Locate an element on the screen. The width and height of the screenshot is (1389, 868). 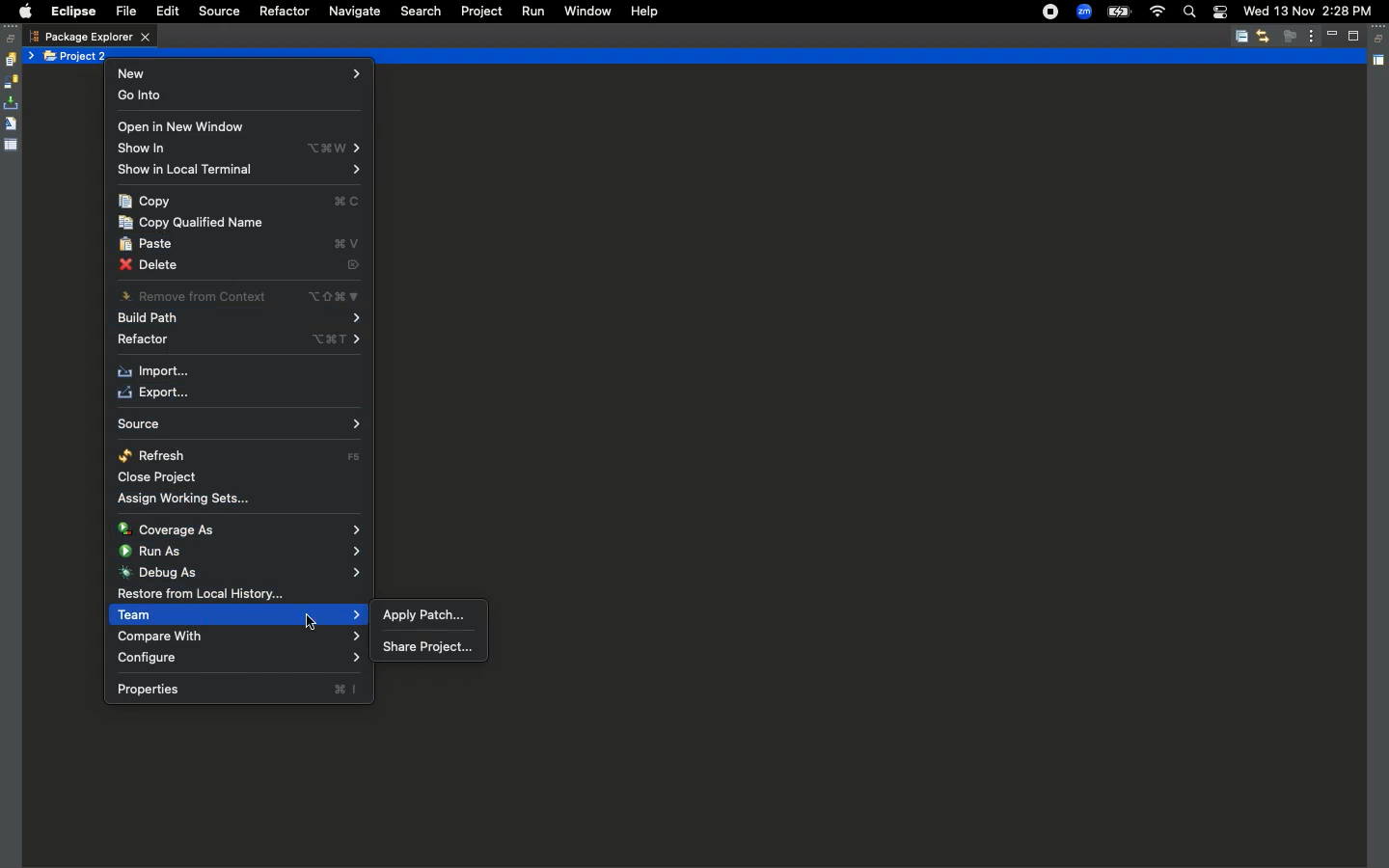
Coverage as is located at coordinates (242, 529).